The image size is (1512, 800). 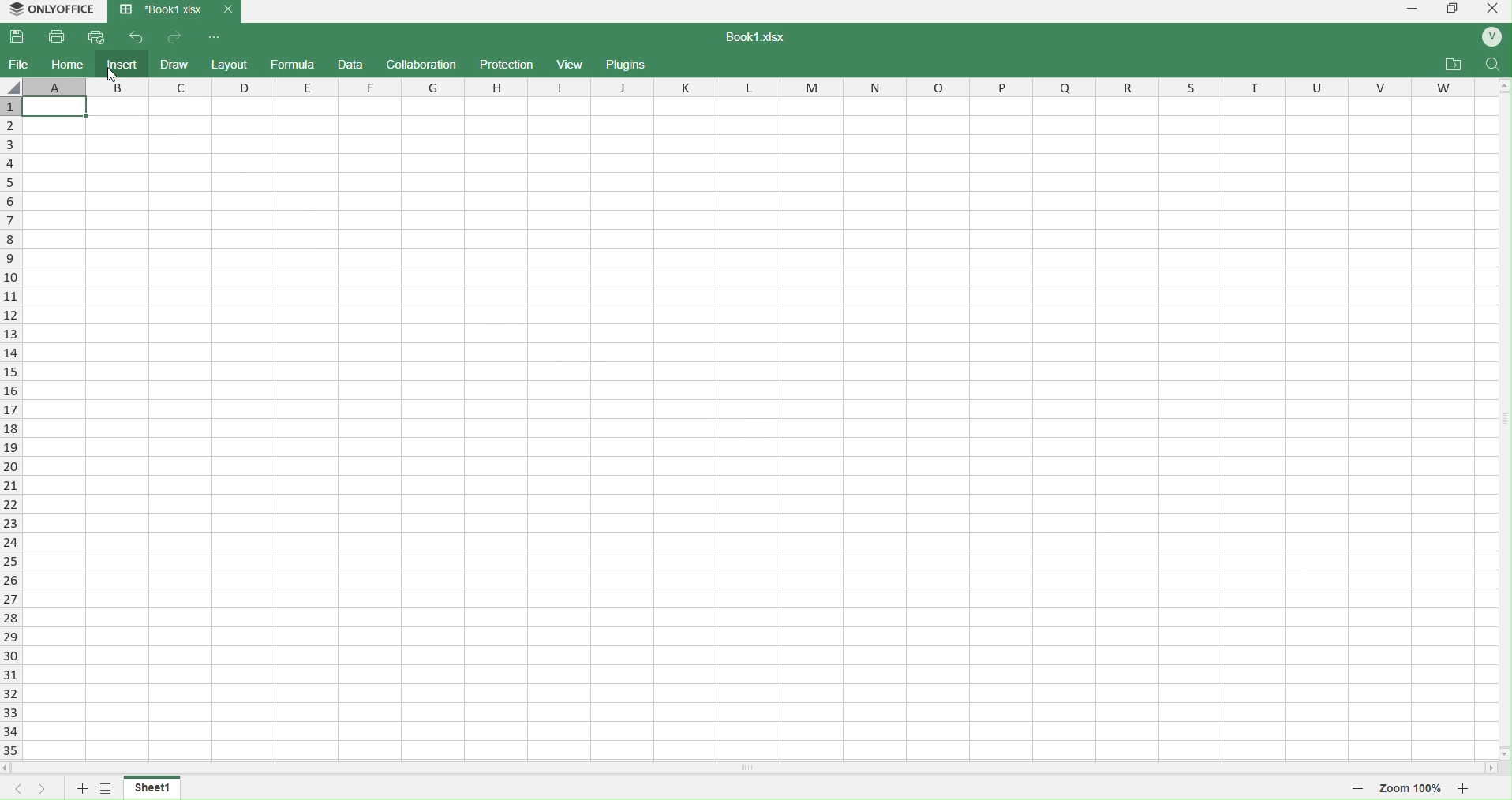 What do you see at coordinates (114, 77) in the screenshot?
I see `cursor` at bounding box center [114, 77].